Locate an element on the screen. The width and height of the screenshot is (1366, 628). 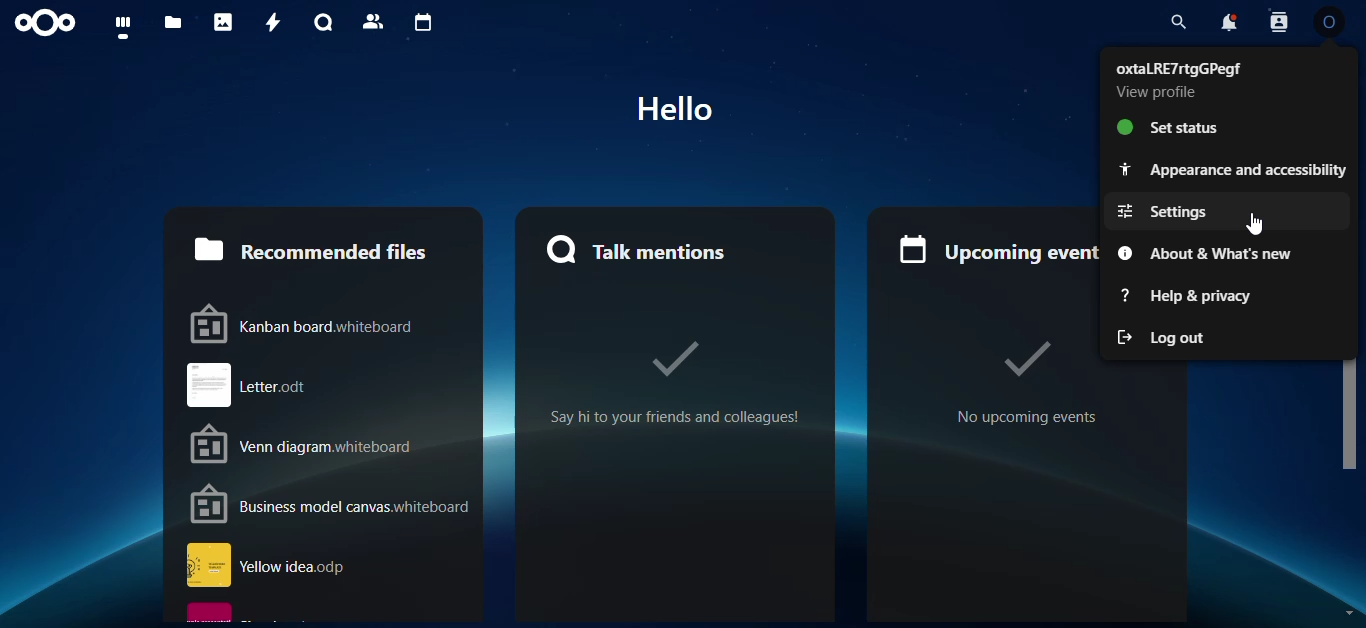
About & What's new is located at coordinates (1229, 253).